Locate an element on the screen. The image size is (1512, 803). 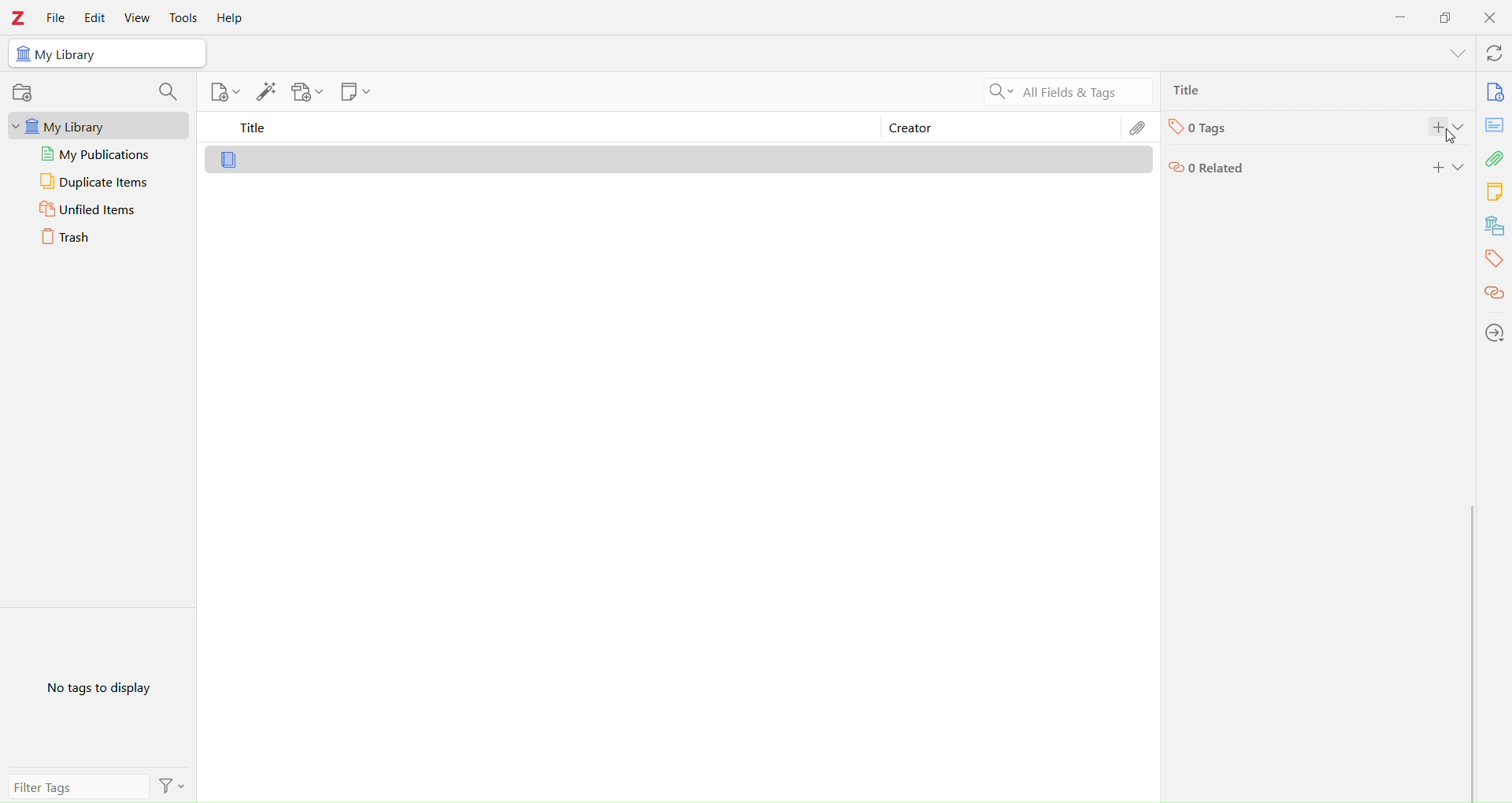
Help is located at coordinates (230, 19).